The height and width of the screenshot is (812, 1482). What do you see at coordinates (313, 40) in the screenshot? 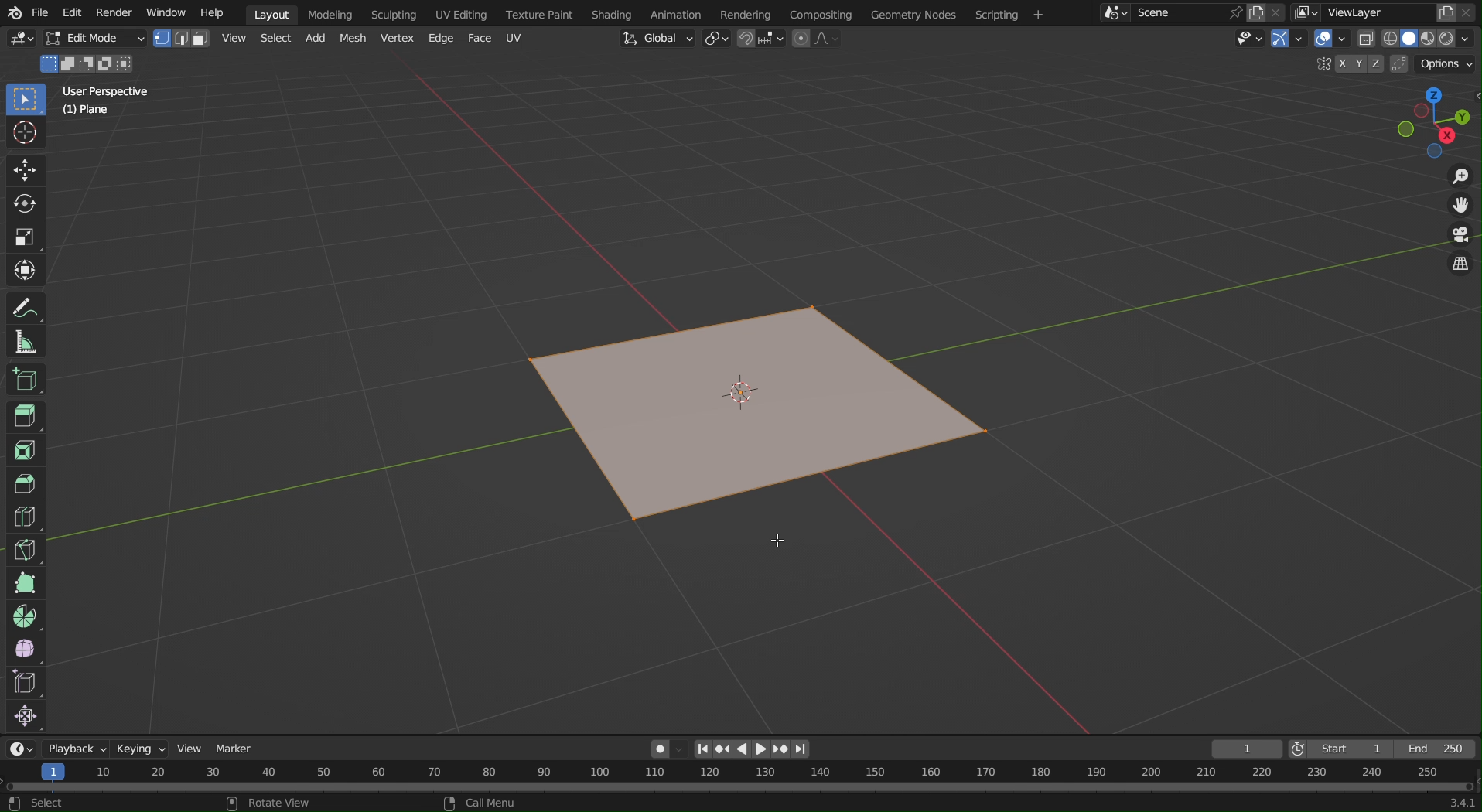
I see `Add` at bounding box center [313, 40].